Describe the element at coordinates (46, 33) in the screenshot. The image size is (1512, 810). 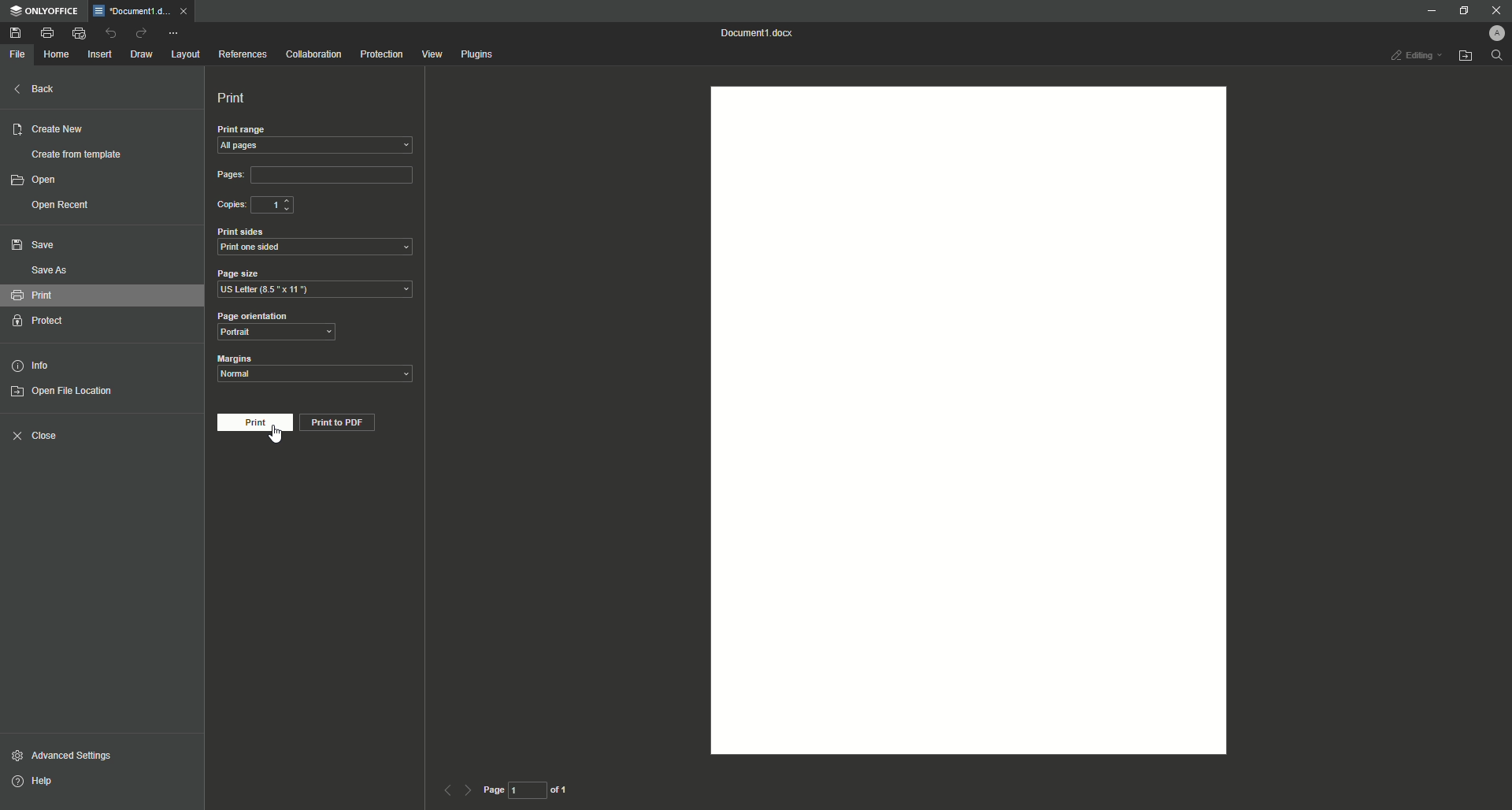
I see `Print` at that location.